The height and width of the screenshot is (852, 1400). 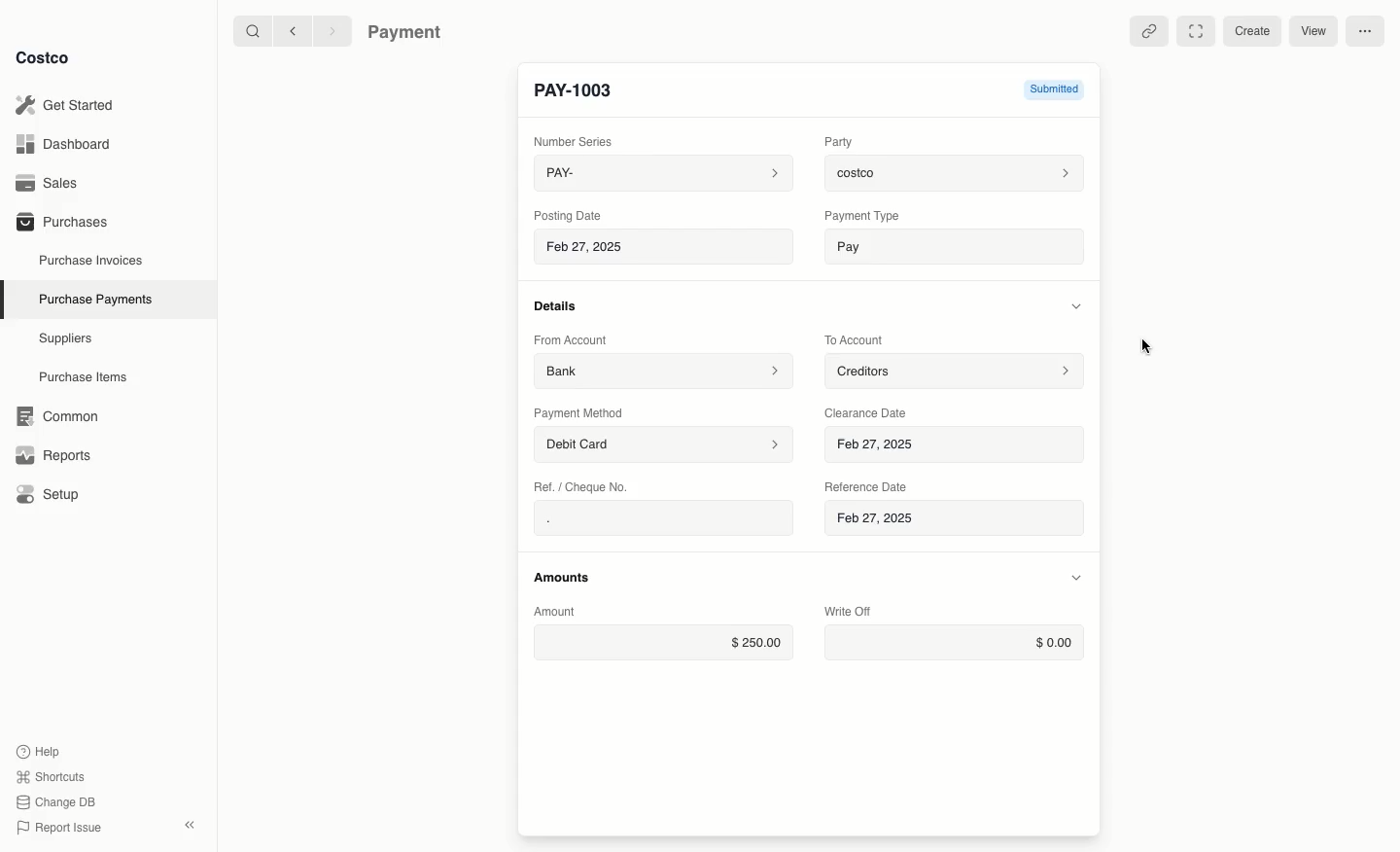 What do you see at coordinates (53, 183) in the screenshot?
I see `Sales` at bounding box center [53, 183].